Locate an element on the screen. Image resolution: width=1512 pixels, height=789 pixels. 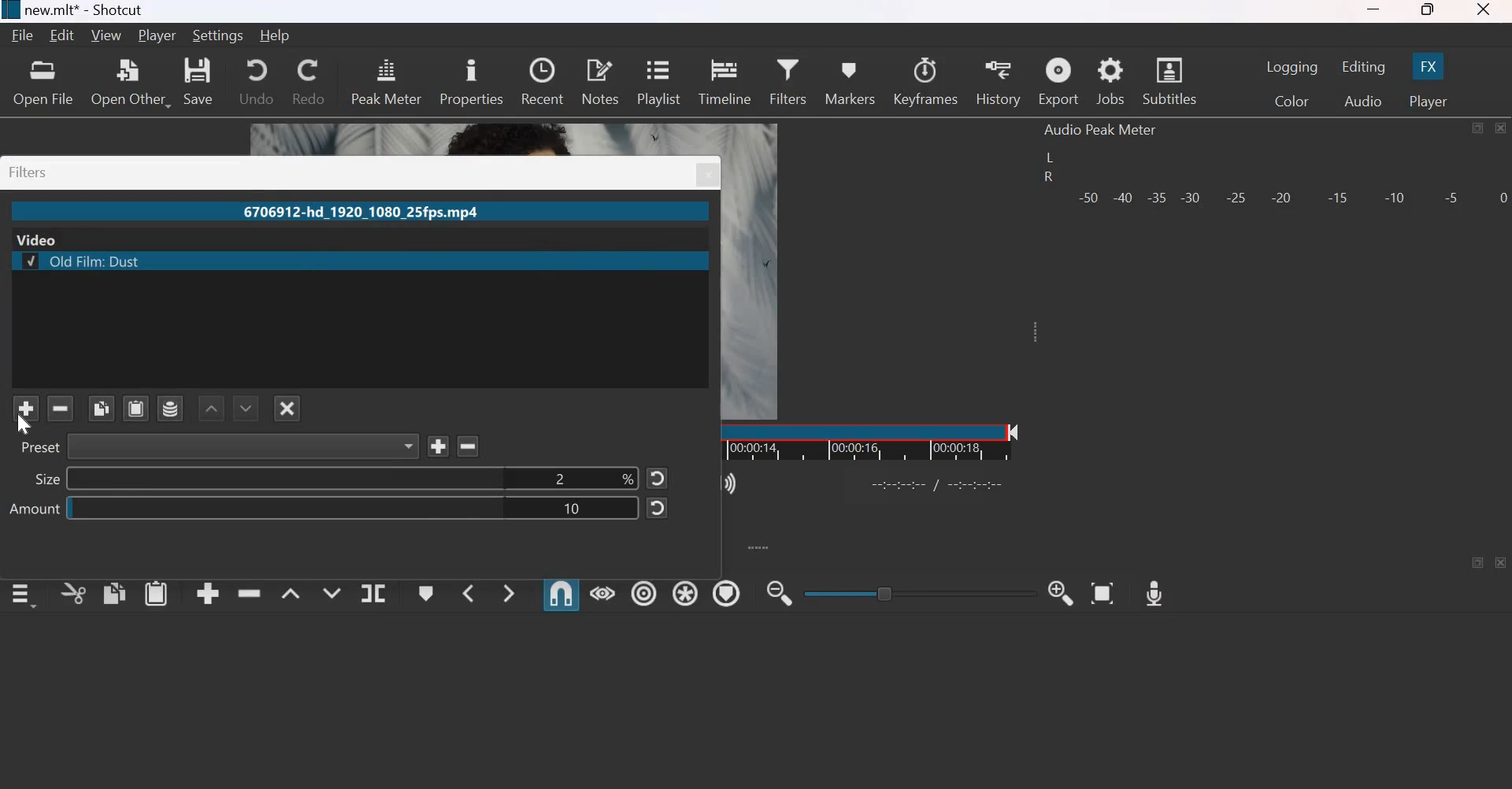
Help is located at coordinates (276, 37).